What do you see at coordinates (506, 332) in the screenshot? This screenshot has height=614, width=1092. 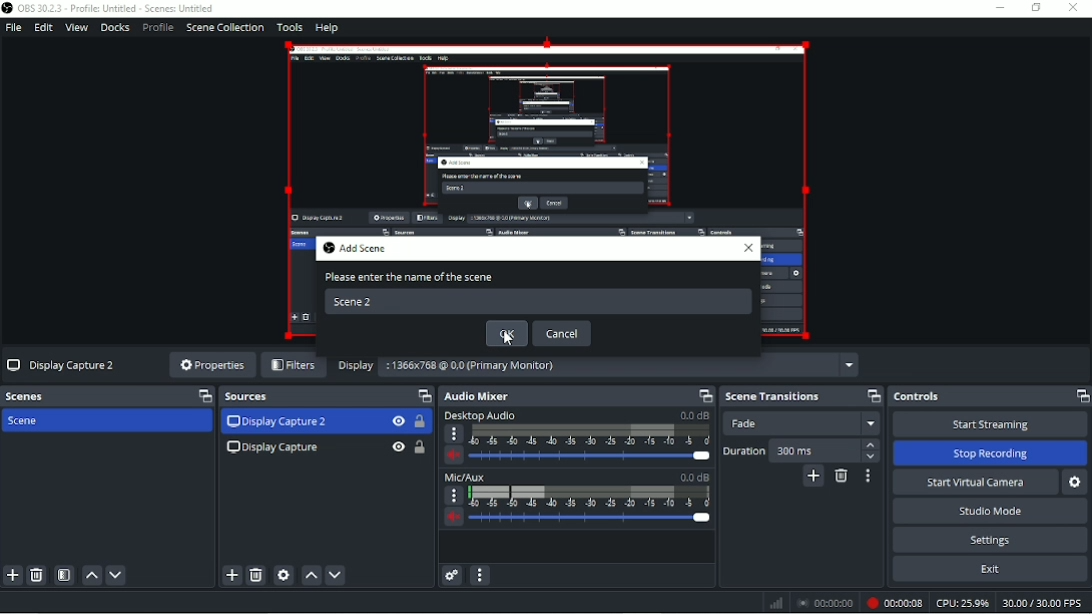 I see `OK` at bounding box center [506, 332].